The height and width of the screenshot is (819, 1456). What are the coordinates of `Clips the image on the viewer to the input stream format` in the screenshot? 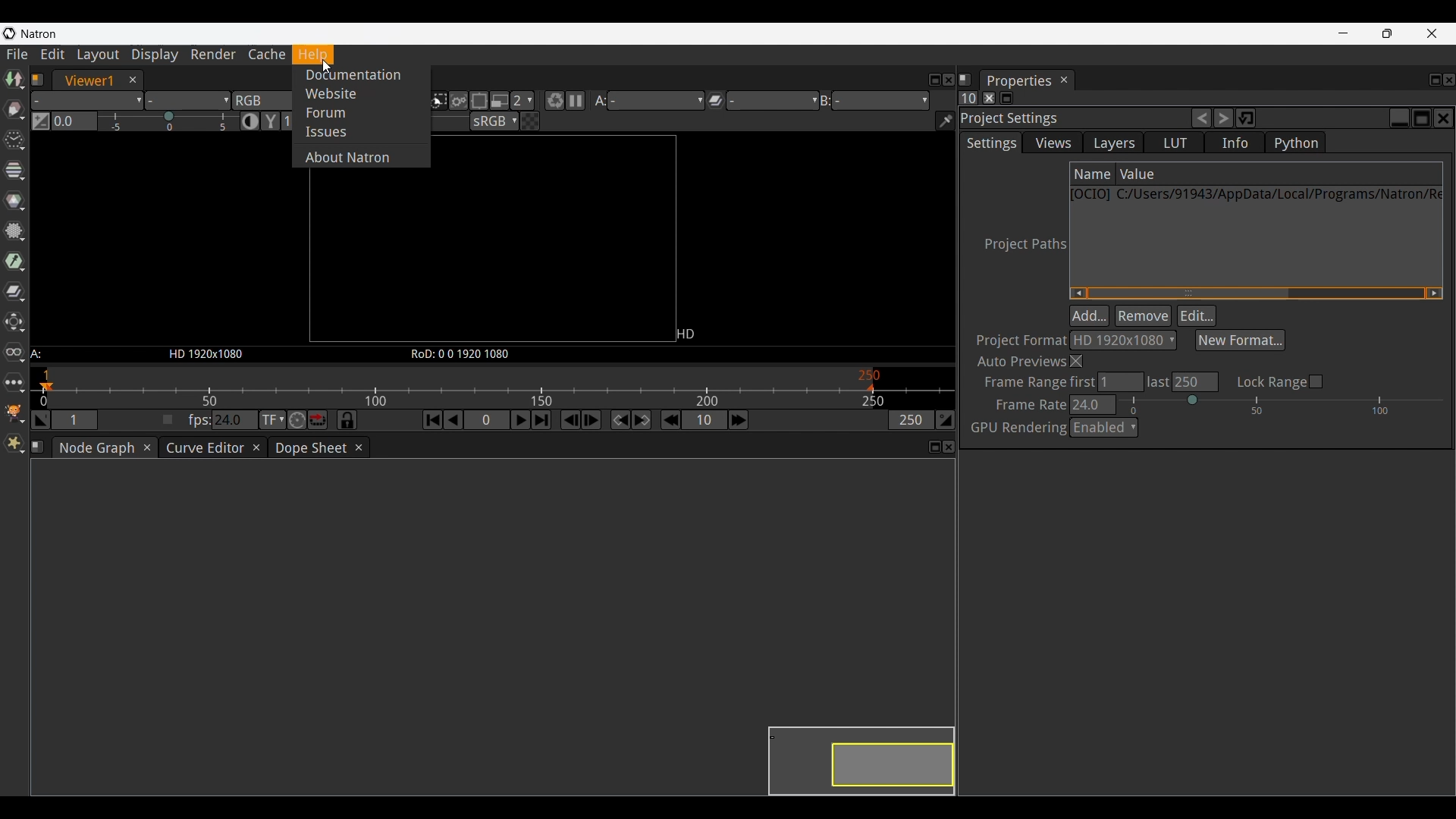 It's located at (438, 101).